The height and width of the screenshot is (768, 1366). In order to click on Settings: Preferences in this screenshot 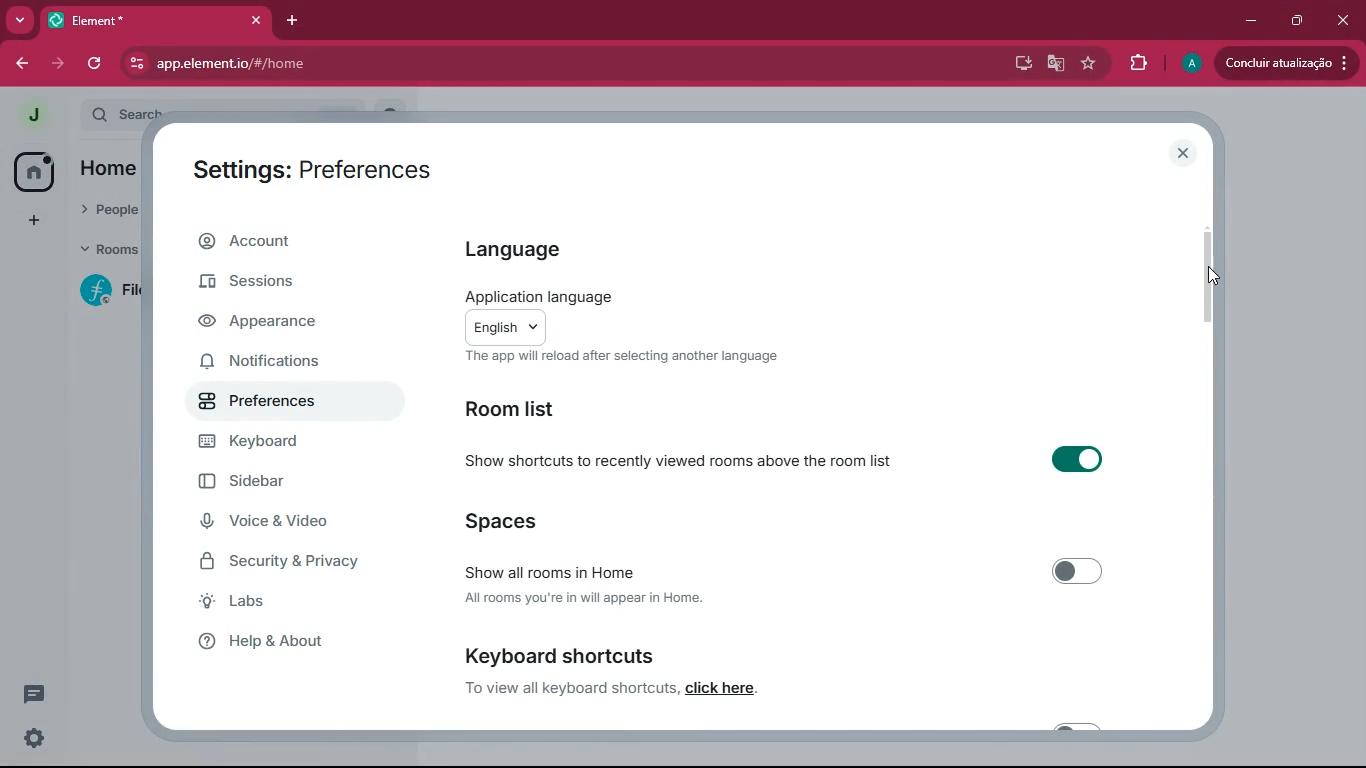, I will do `click(311, 166)`.